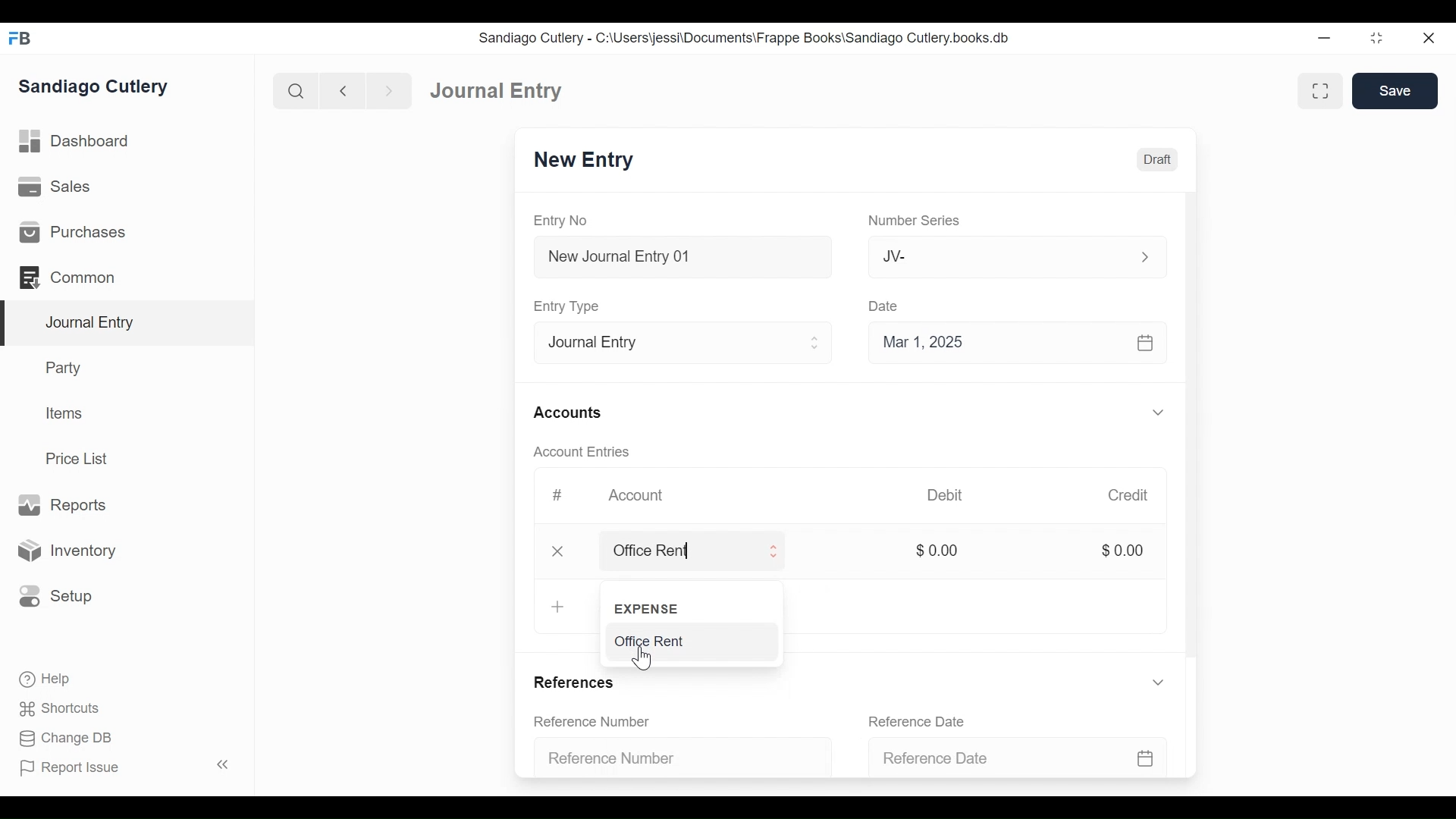  Describe the element at coordinates (384, 89) in the screenshot. I see `next` at that location.